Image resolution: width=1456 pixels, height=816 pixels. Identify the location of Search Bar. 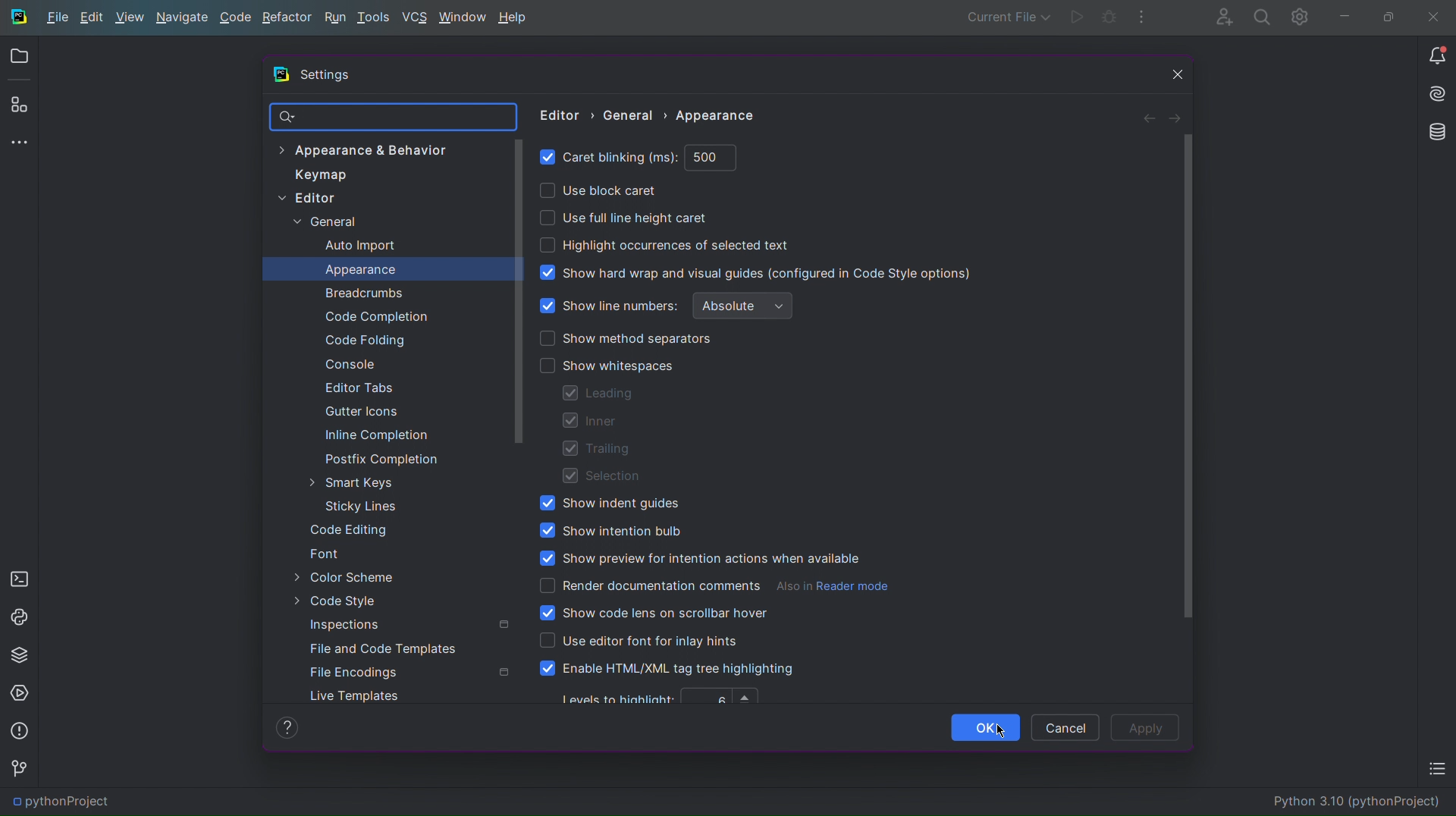
(392, 117).